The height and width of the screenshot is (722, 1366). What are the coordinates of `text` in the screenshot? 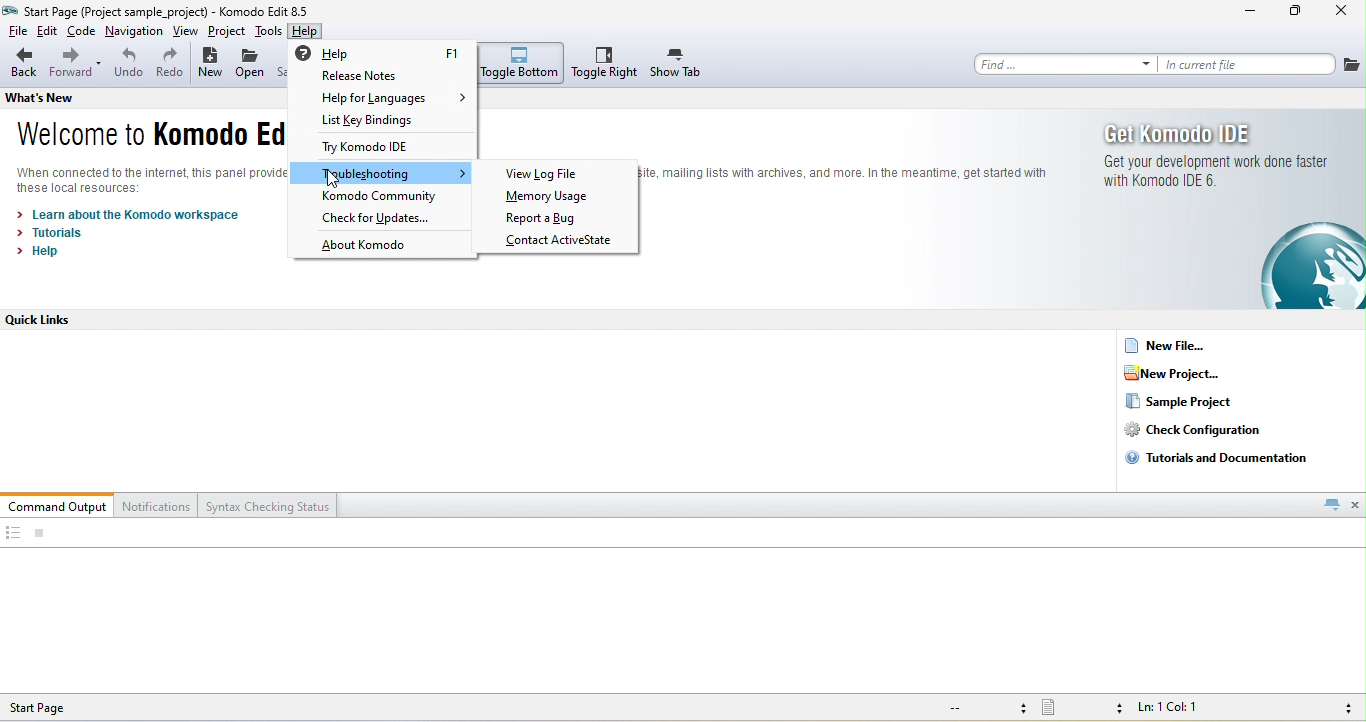 It's located at (153, 179).